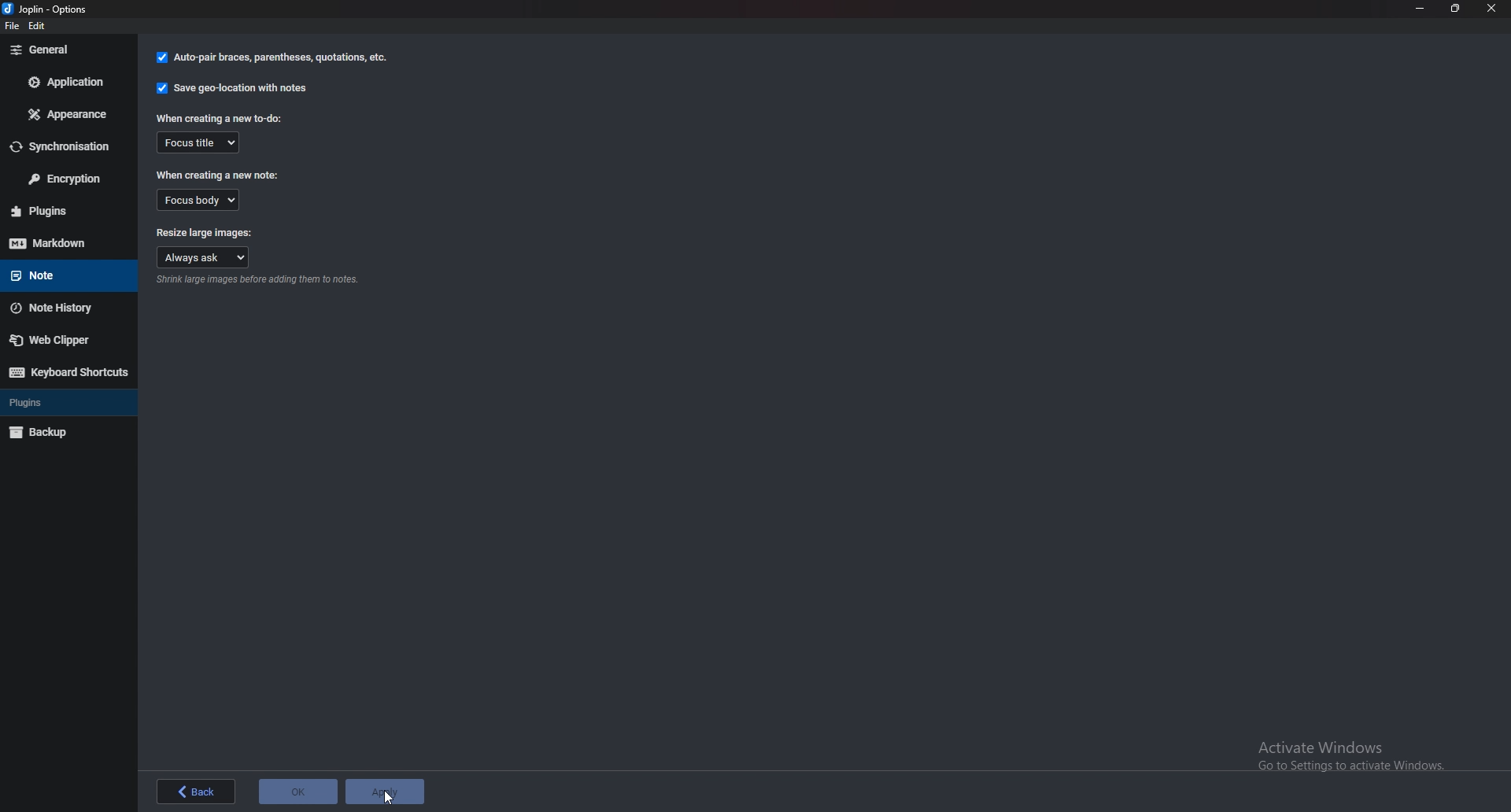 The image size is (1511, 812). What do you see at coordinates (231, 88) in the screenshot?
I see `Save geo location with notes` at bounding box center [231, 88].